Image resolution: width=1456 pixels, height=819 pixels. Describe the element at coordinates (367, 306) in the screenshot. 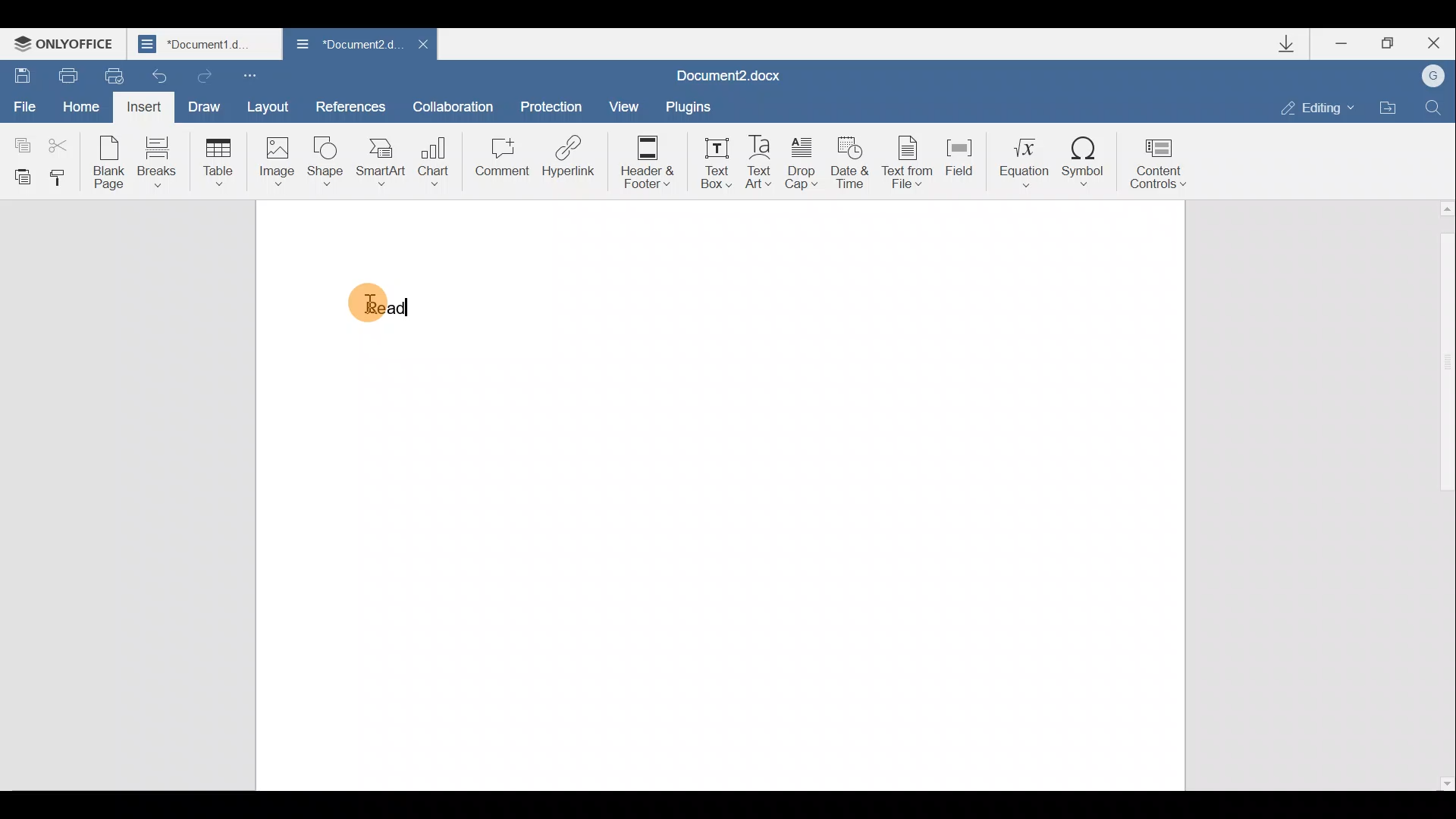

I see `Cursor` at that location.